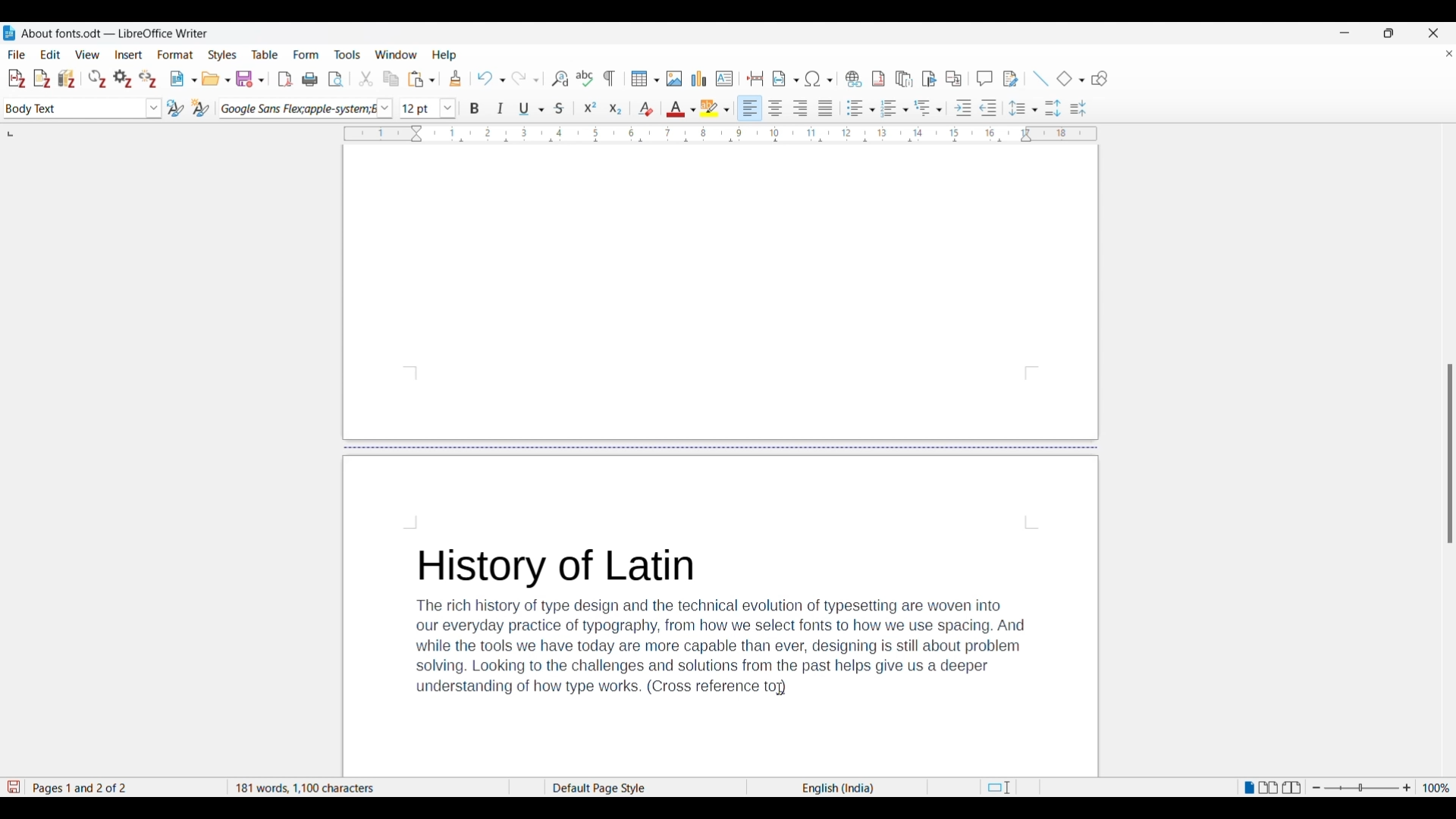 The height and width of the screenshot is (819, 1456). Describe the element at coordinates (419, 108) in the screenshot. I see `Input font` at that location.